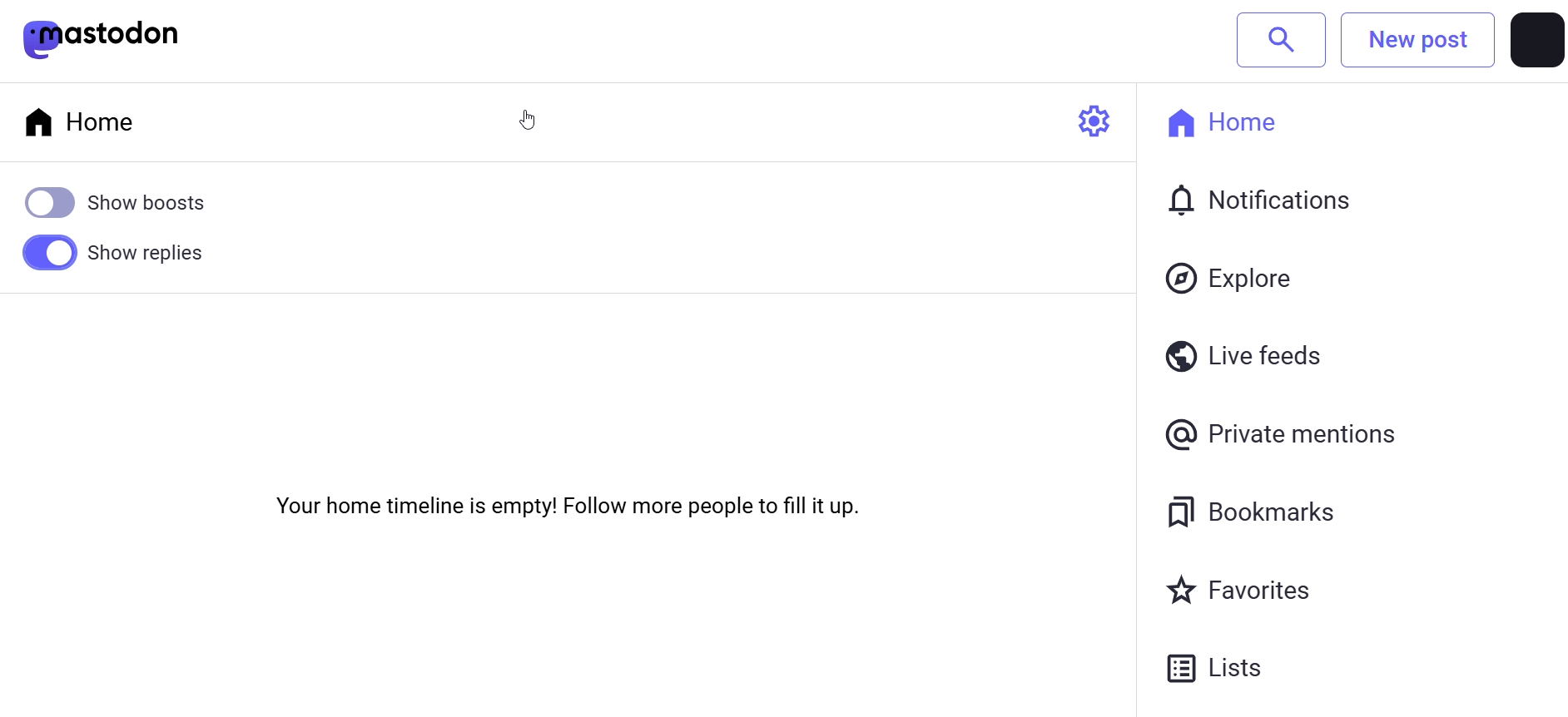 The height and width of the screenshot is (717, 1568). Describe the element at coordinates (1082, 121) in the screenshot. I see `setting` at that location.